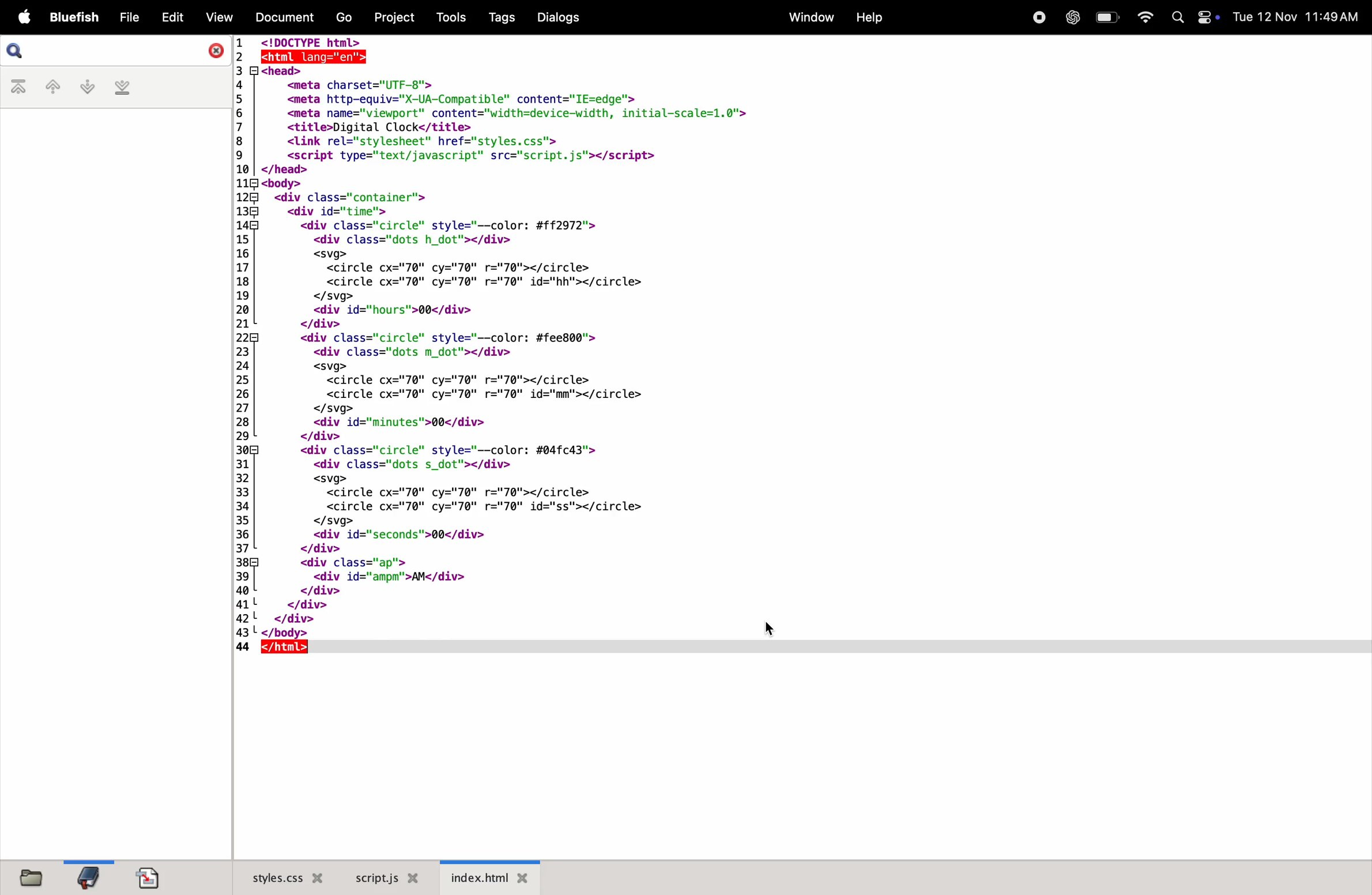  I want to click on tags, so click(504, 17).